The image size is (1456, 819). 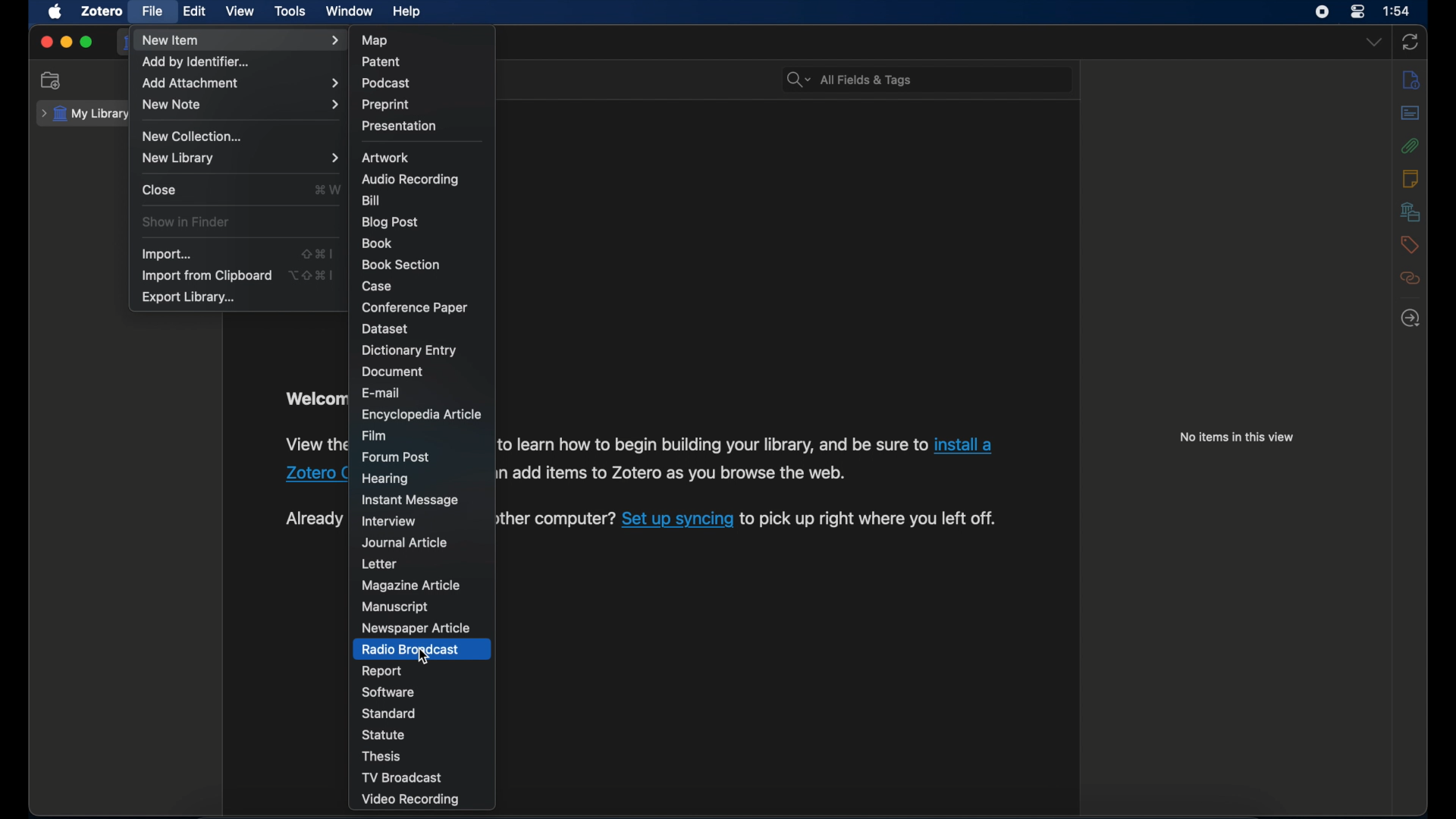 What do you see at coordinates (1410, 79) in the screenshot?
I see `info` at bounding box center [1410, 79].